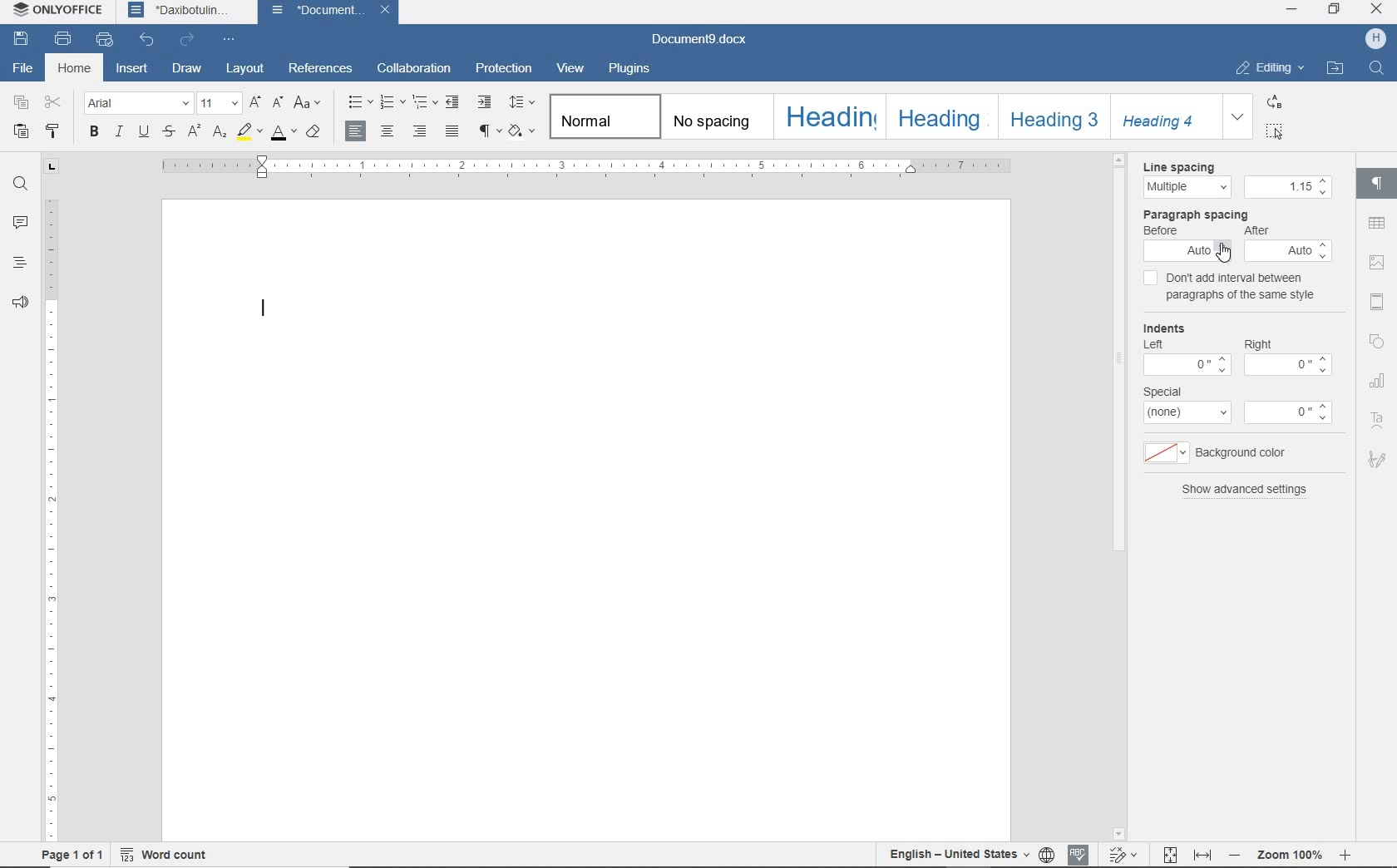 The image size is (1397, 868). Describe the element at coordinates (283, 133) in the screenshot. I see `font color` at that location.